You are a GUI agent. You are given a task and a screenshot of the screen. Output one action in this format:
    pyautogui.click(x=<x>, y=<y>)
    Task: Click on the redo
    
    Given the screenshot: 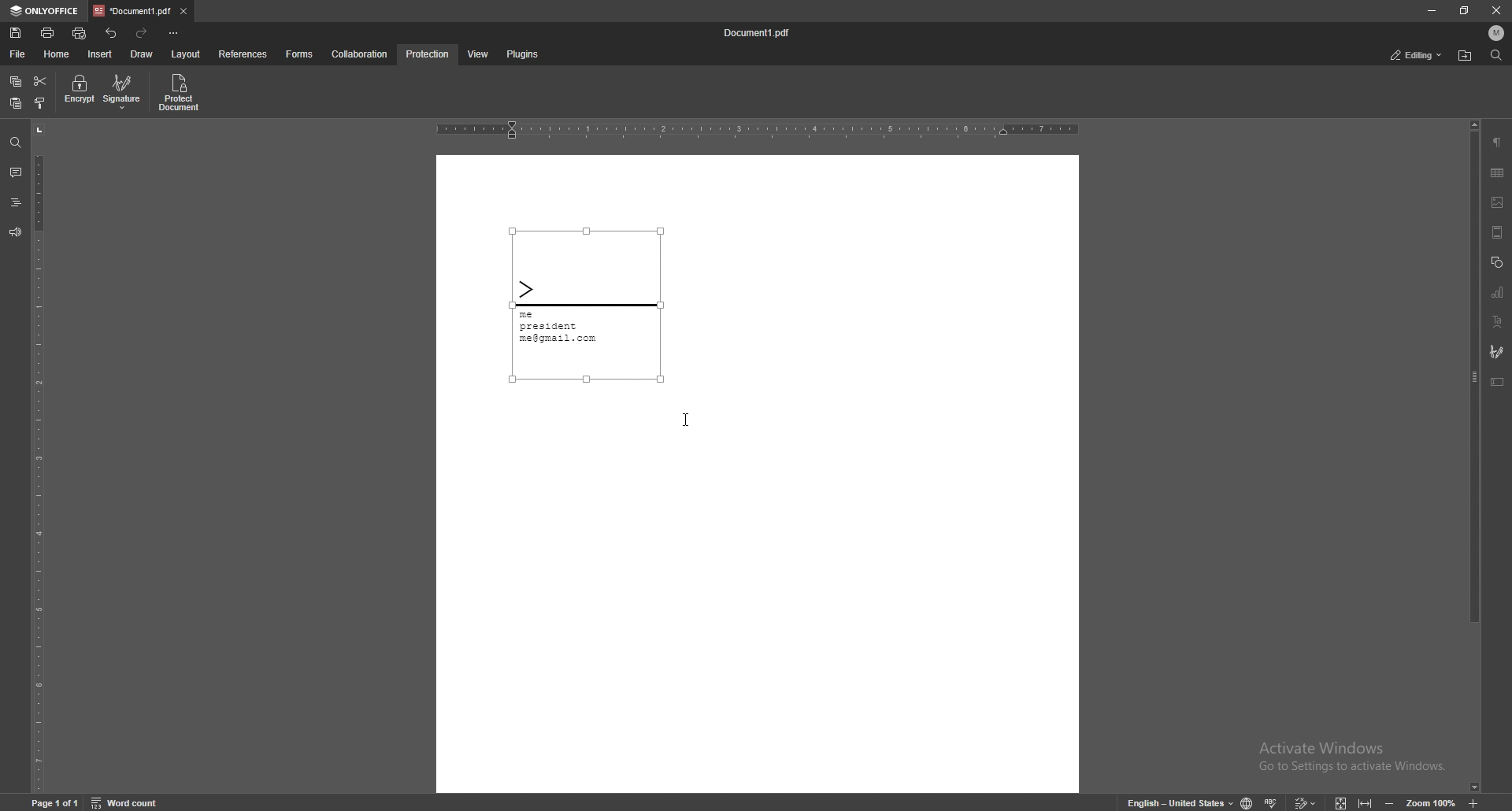 What is the action you would take?
    pyautogui.click(x=143, y=33)
    